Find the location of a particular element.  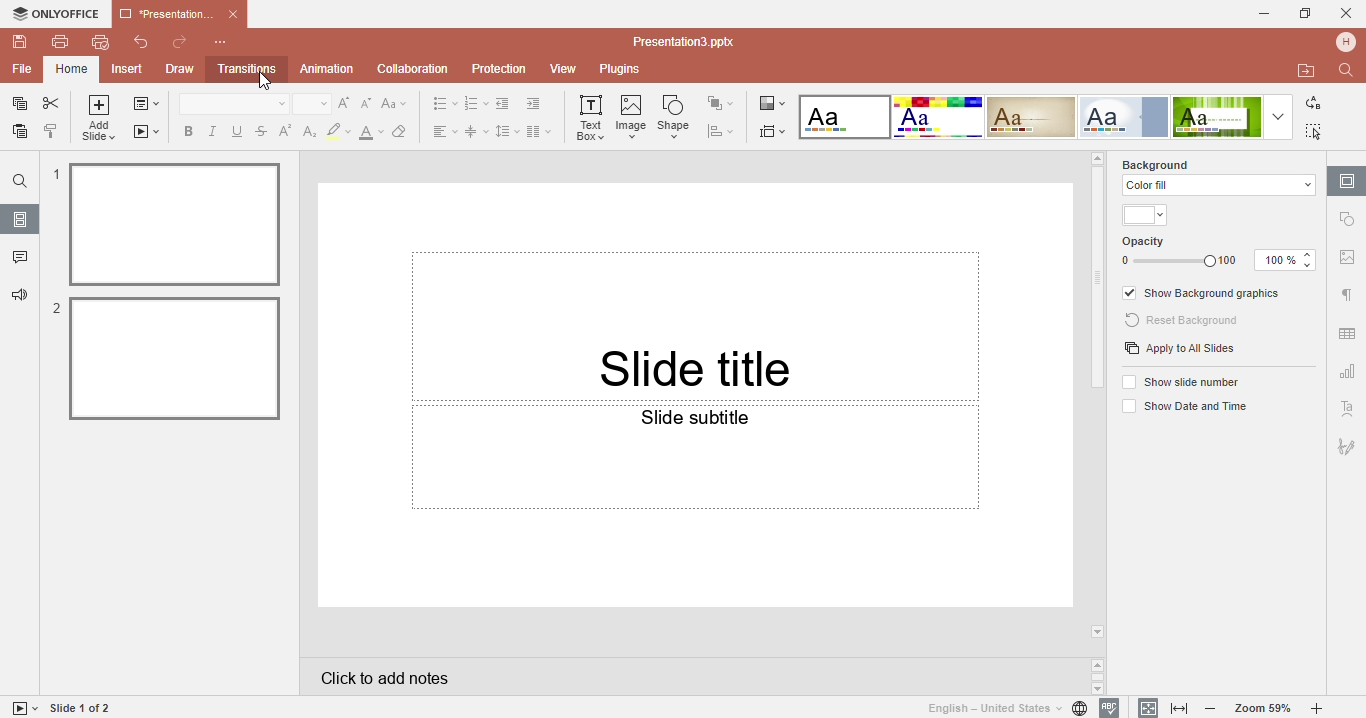

Insert shape is located at coordinates (677, 116).